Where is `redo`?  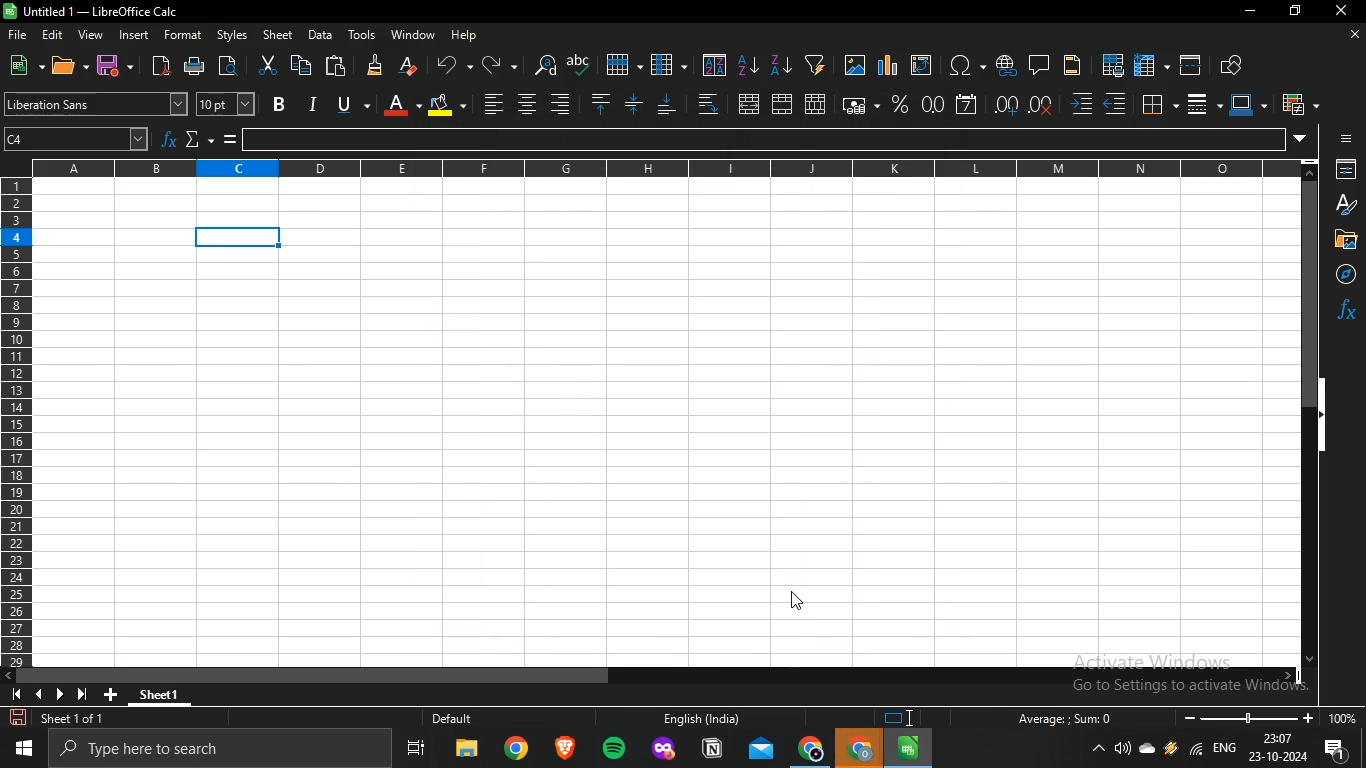 redo is located at coordinates (492, 64).